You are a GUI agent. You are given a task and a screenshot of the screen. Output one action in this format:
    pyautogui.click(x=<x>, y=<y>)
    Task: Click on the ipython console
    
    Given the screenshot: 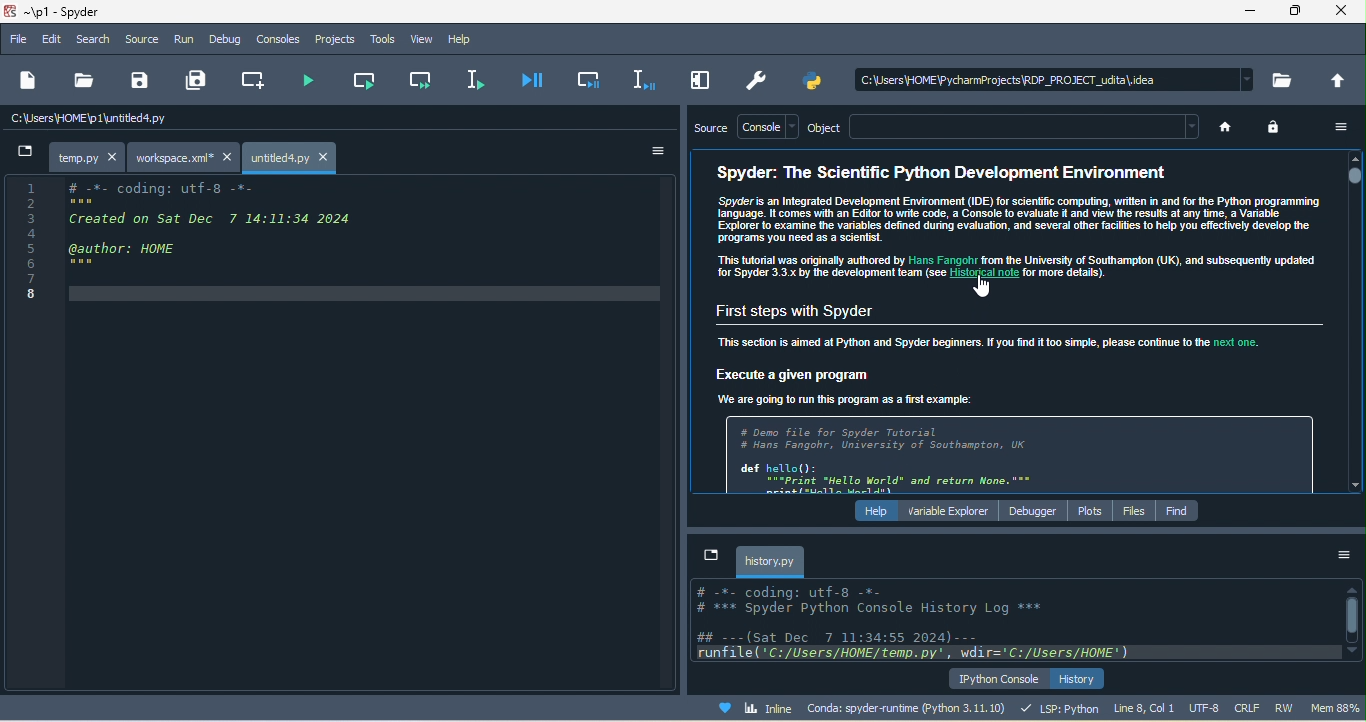 What is the action you would take?
    pyautogui.click(x=991, y=679)
    